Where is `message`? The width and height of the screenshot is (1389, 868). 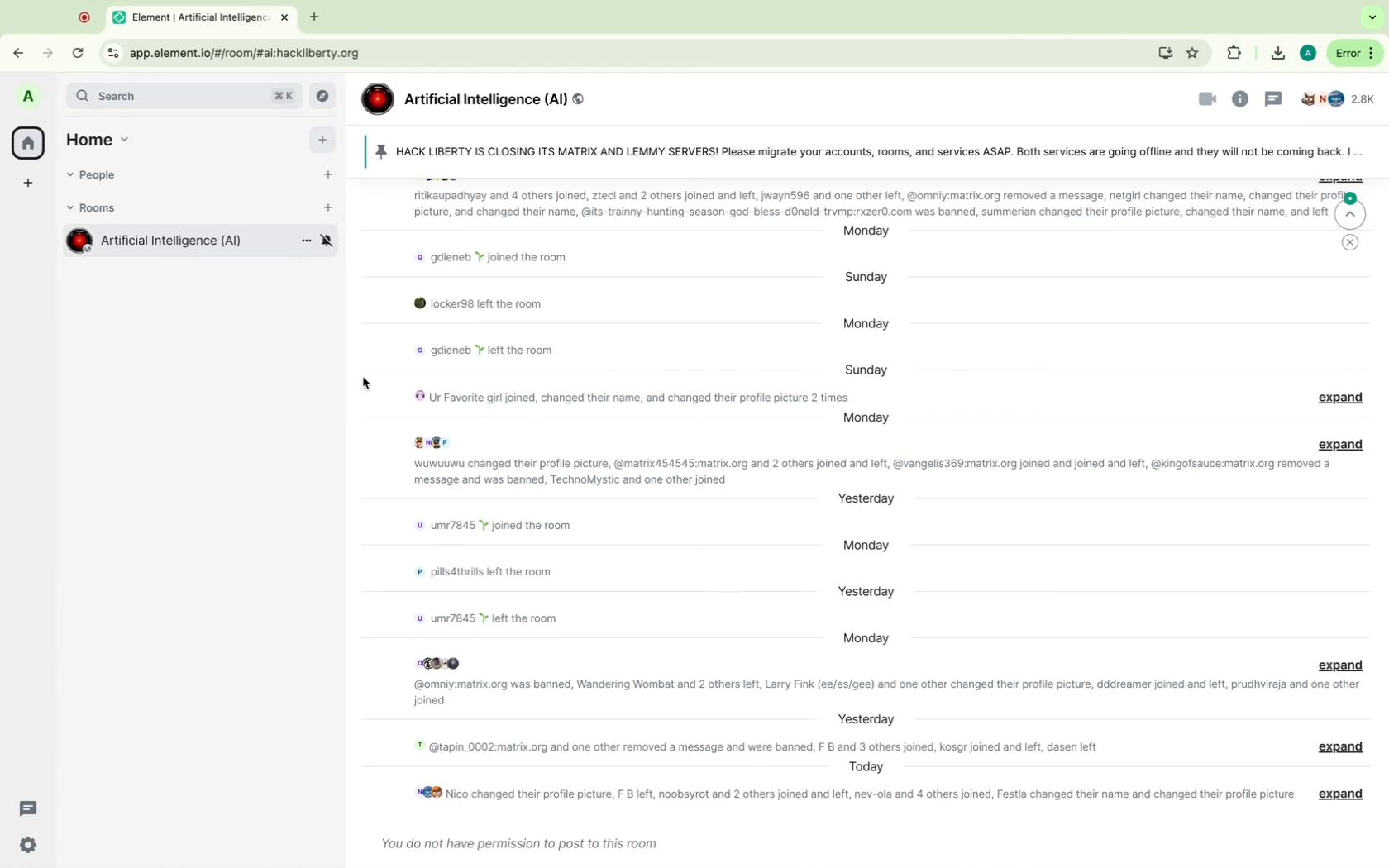
message is located at coordinates (496, 259).